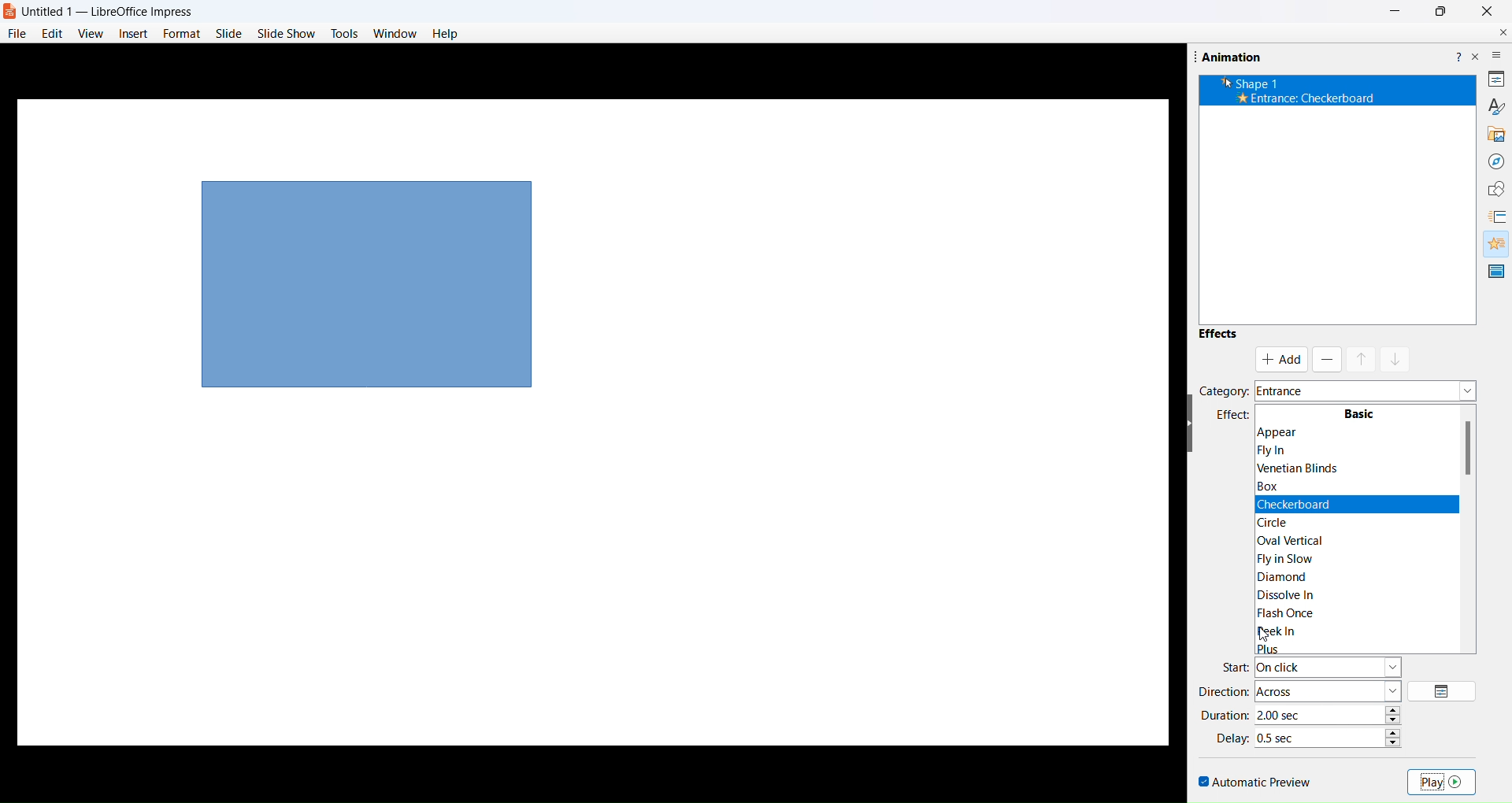  What do you see at coordinates (113, 13) in the screenshot?
I see `title` at bounding box center [113, 13].